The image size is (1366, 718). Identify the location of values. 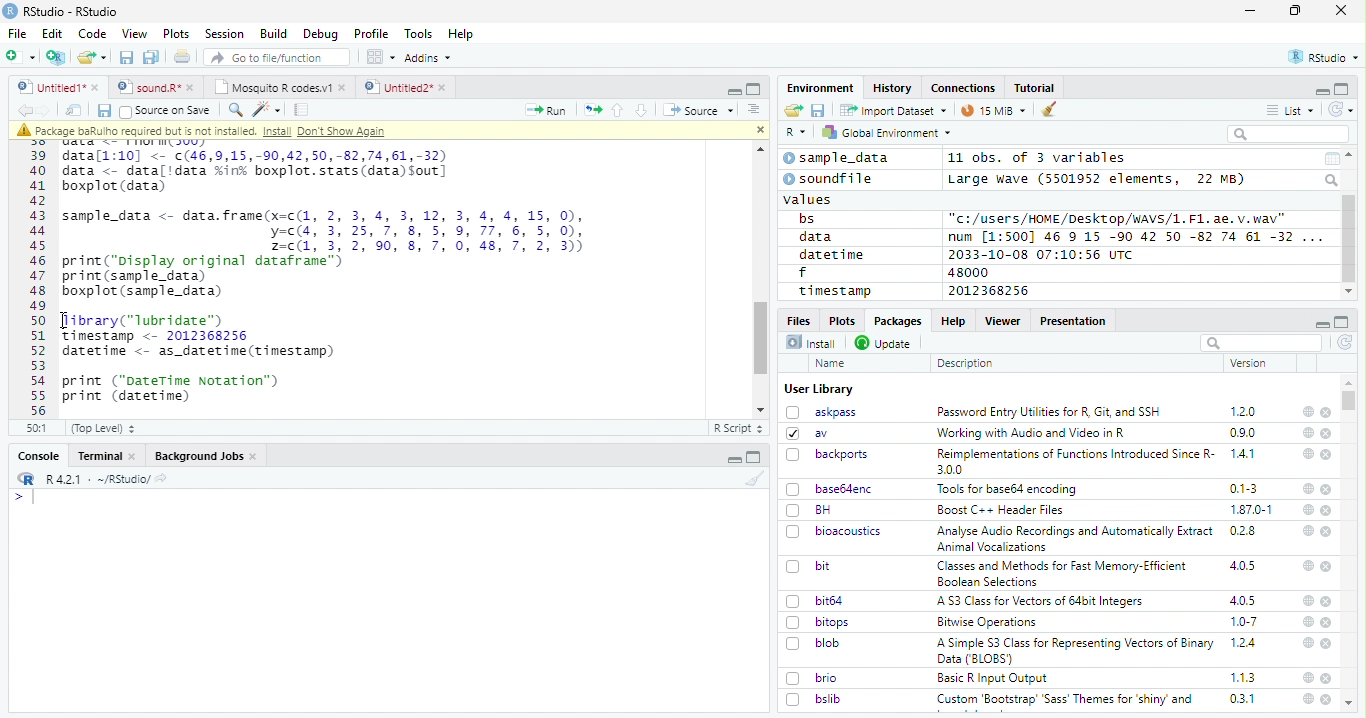
(809, 198).